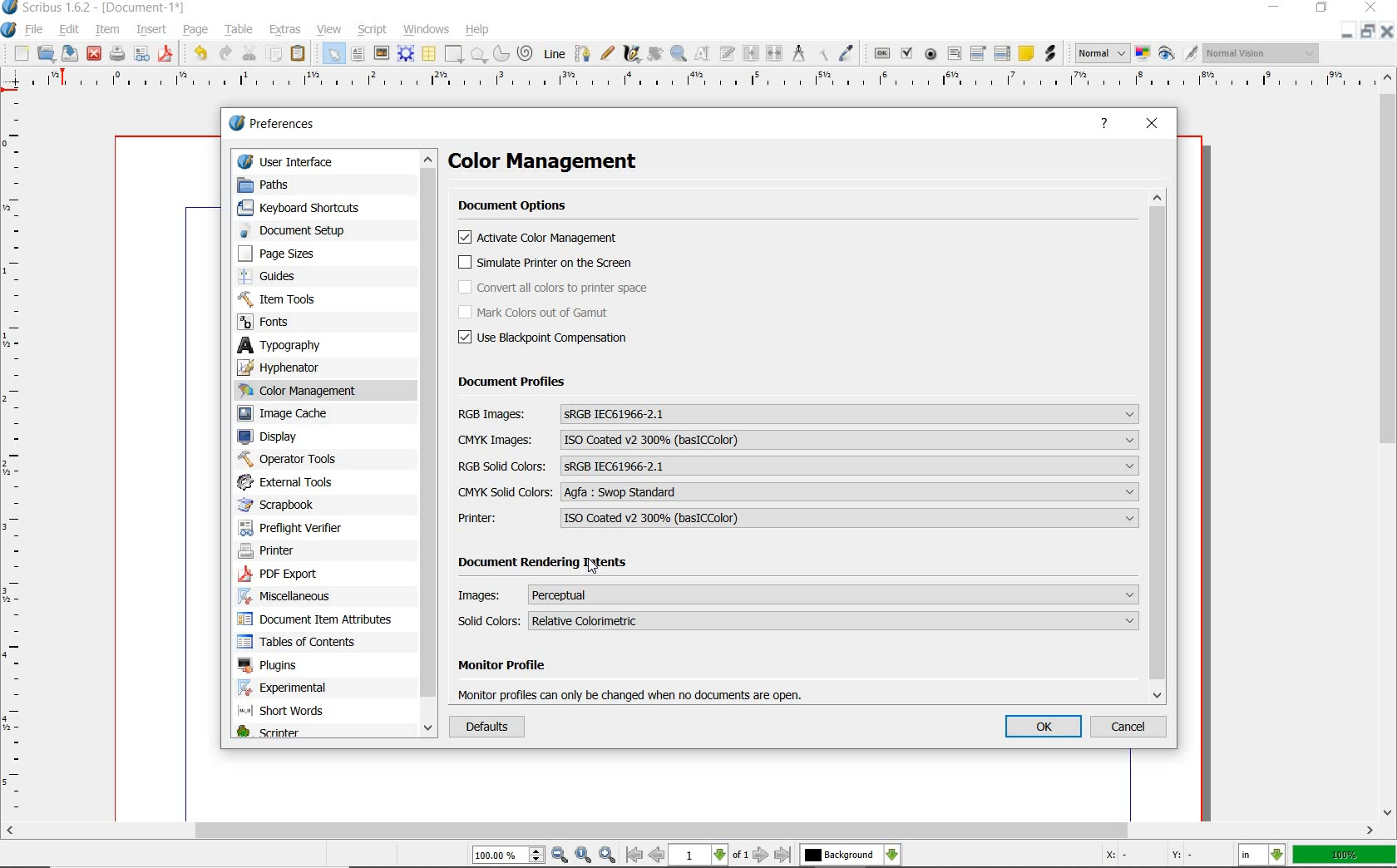 Image resolution: width=1397 pixels, height=868 pixels. I want to click on pdf export, so click(309, 574).